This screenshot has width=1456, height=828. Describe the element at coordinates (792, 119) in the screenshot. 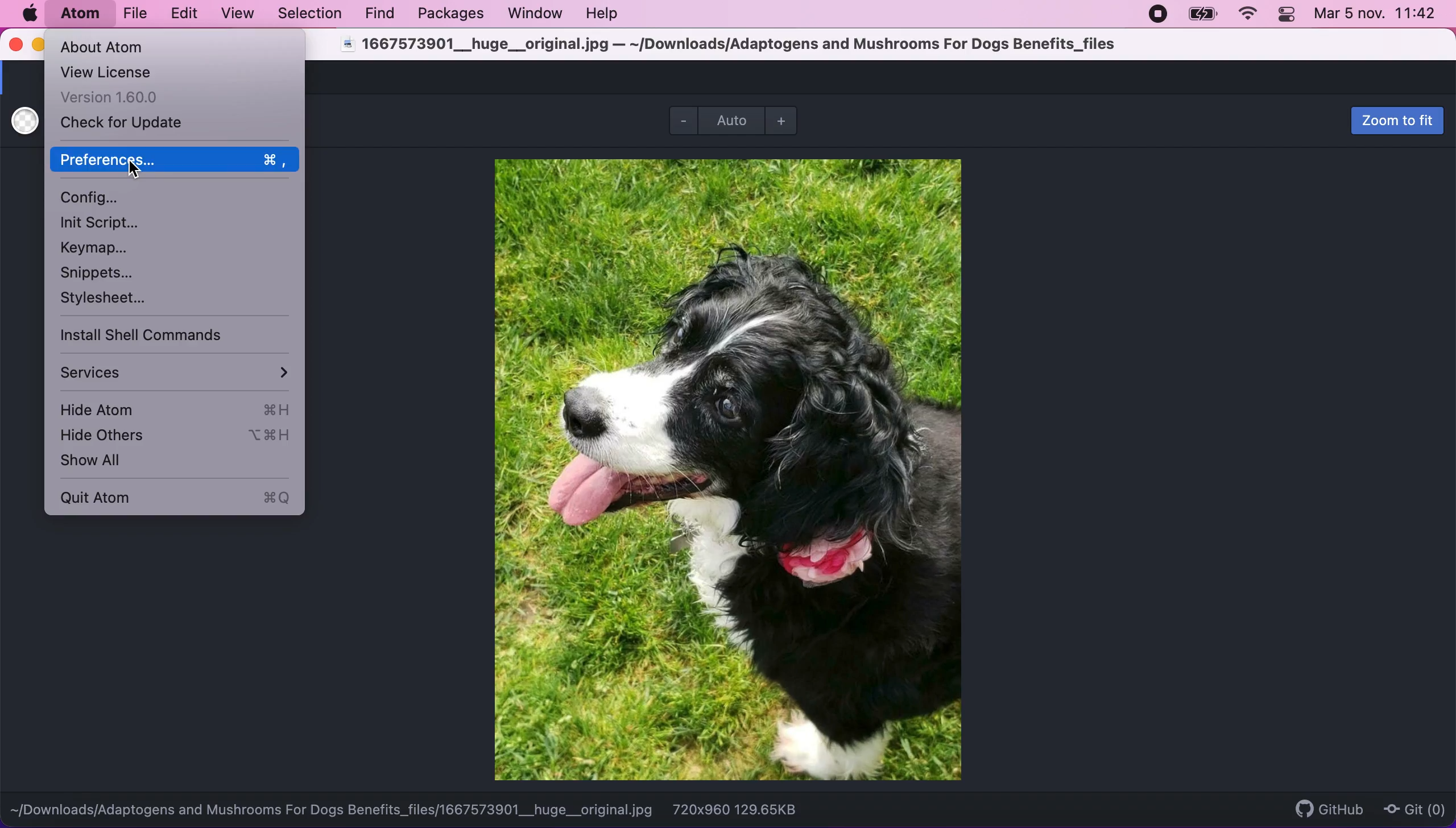

I see `zoom out` at that location.